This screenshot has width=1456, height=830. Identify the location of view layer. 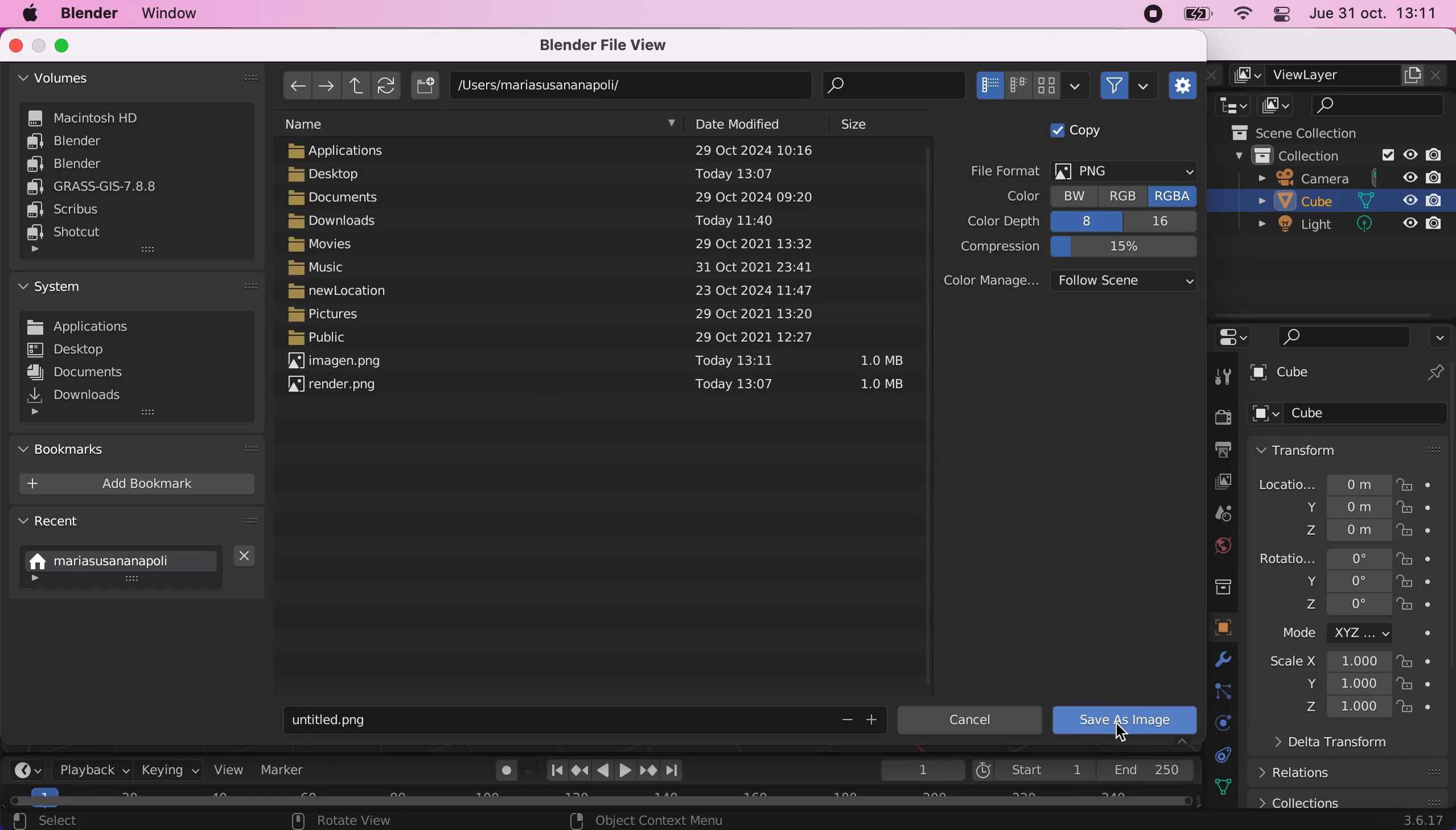
(1218, 481).